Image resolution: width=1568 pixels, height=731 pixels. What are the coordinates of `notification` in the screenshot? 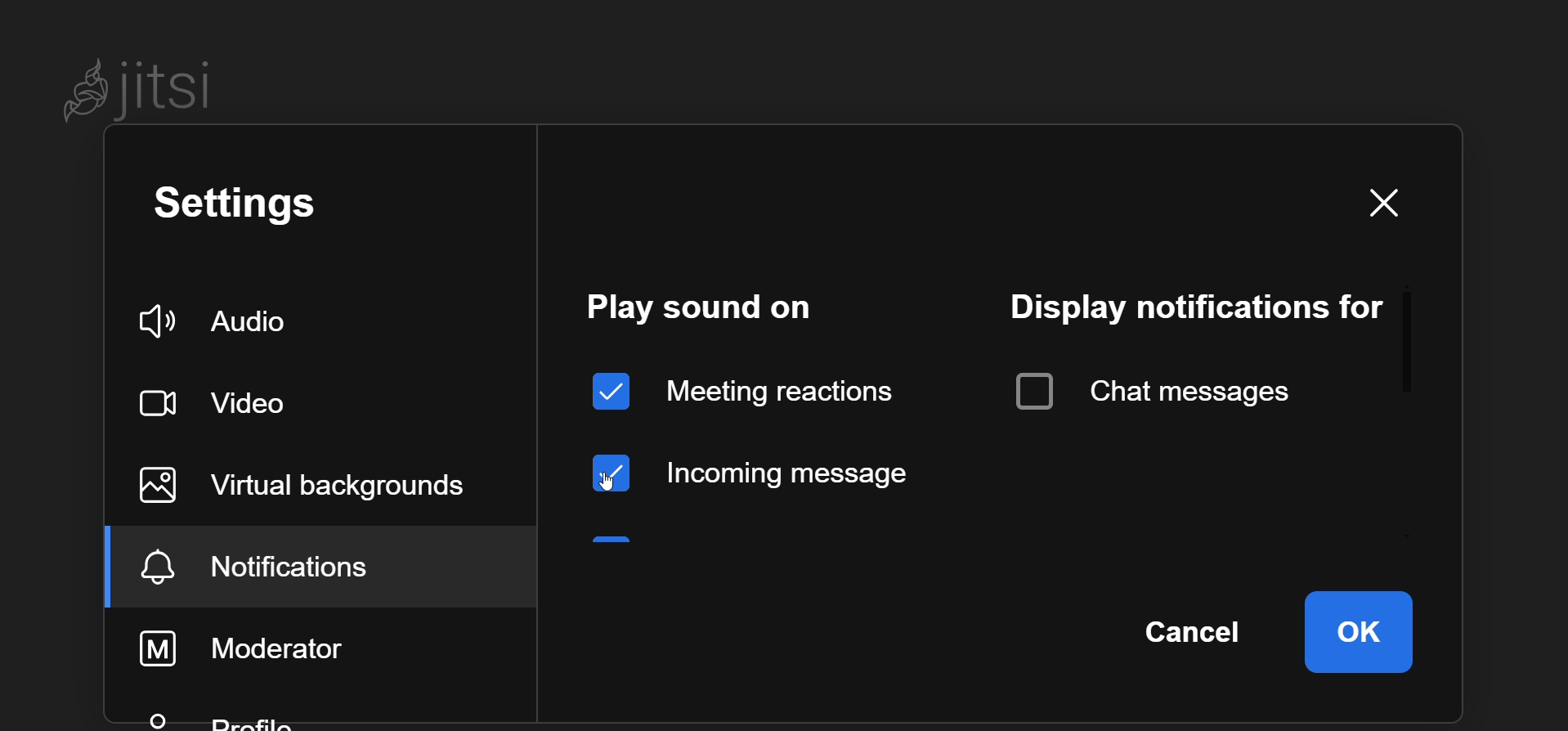 It's located at (285, 566).